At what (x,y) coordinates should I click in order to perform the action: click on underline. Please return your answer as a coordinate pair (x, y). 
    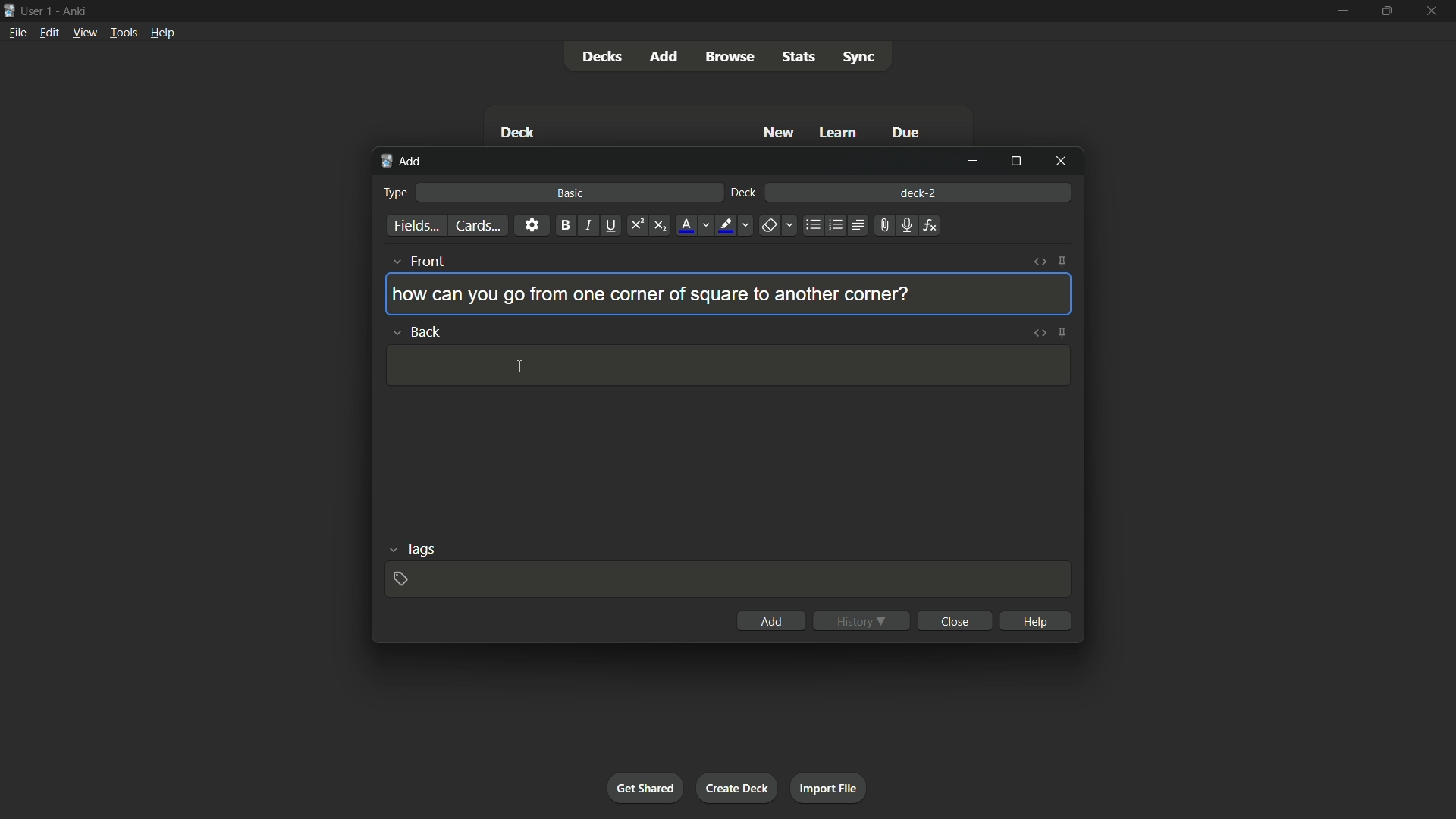
    Looking at the image, I should click on (612, 226).